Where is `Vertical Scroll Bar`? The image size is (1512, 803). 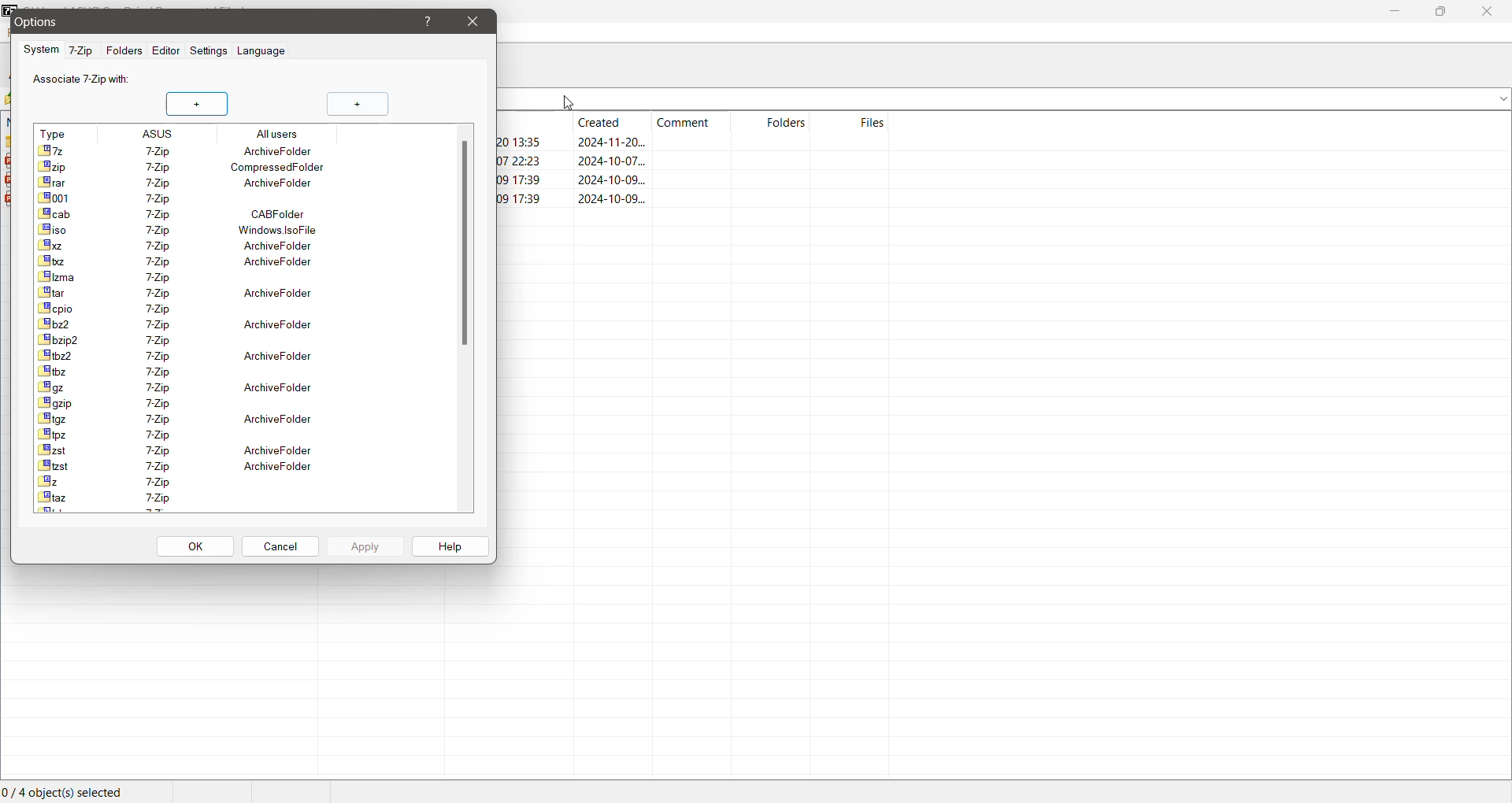 Vertical Scroll Bar is located at coordinates (465, 244).